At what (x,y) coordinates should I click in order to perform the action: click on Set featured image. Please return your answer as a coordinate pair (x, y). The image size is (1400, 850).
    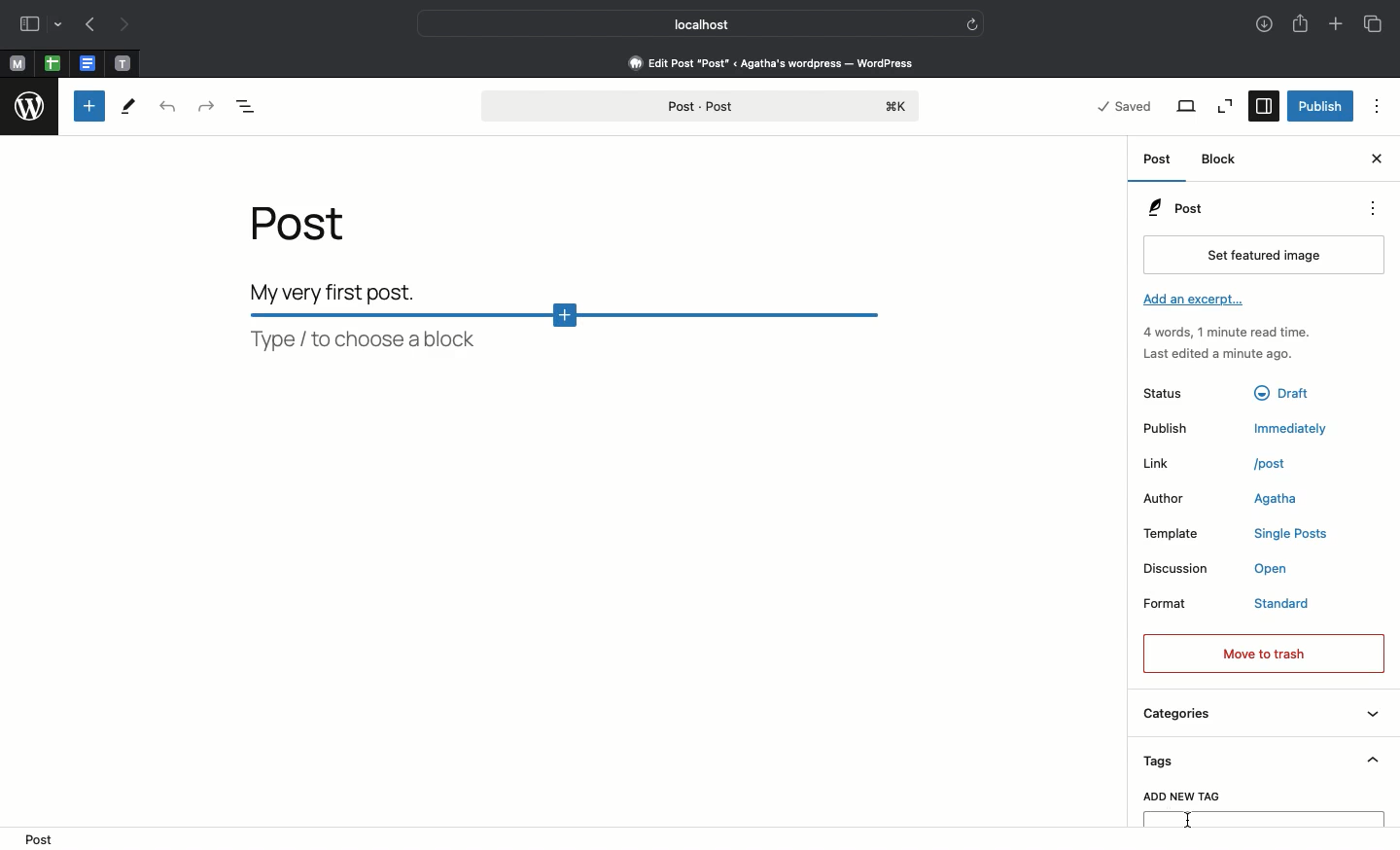
    Looking at the image, I should click on (1263, 256).